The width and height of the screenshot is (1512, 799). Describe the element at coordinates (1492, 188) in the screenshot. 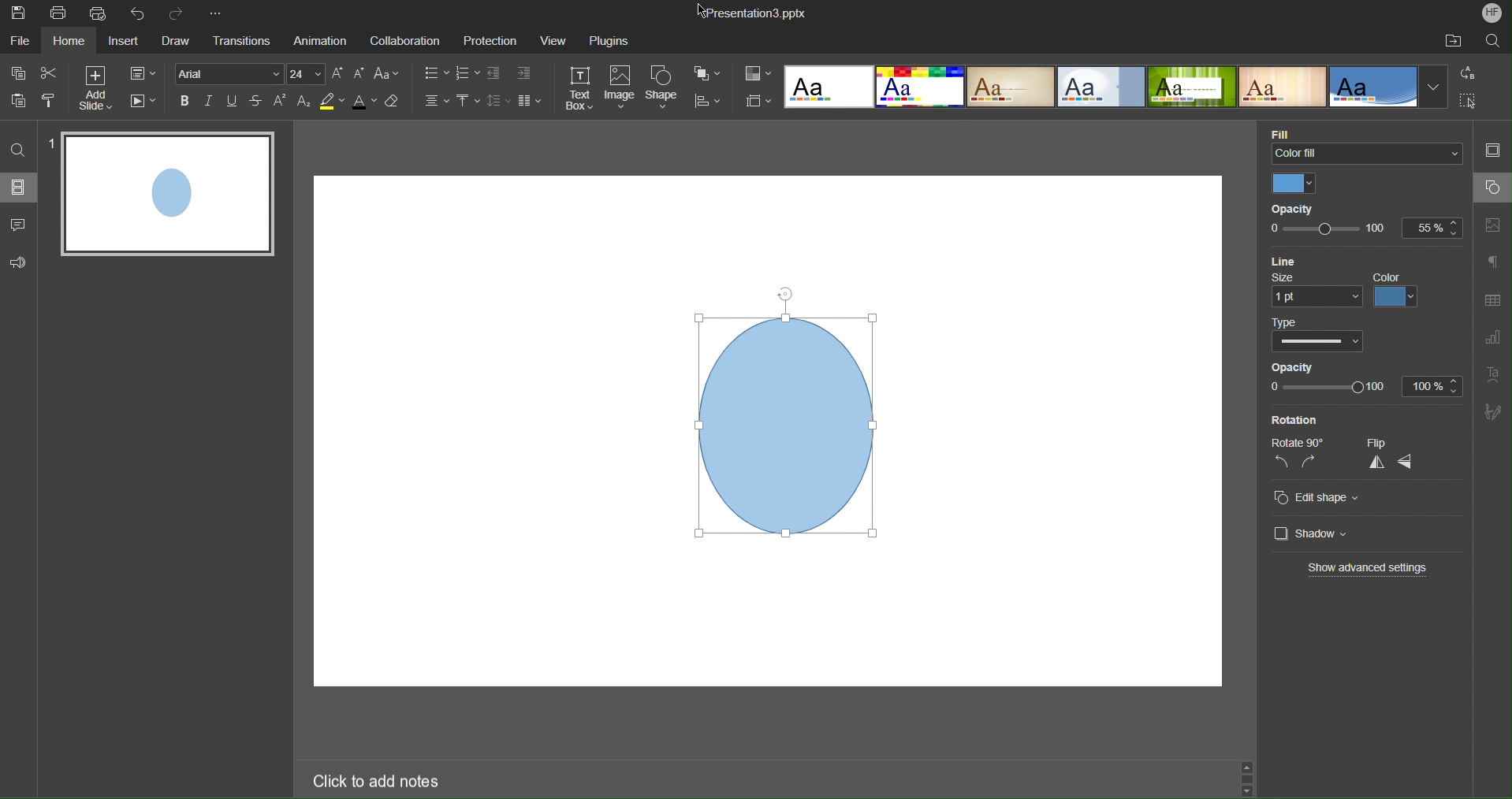

I see `Shape Settings` at that location.